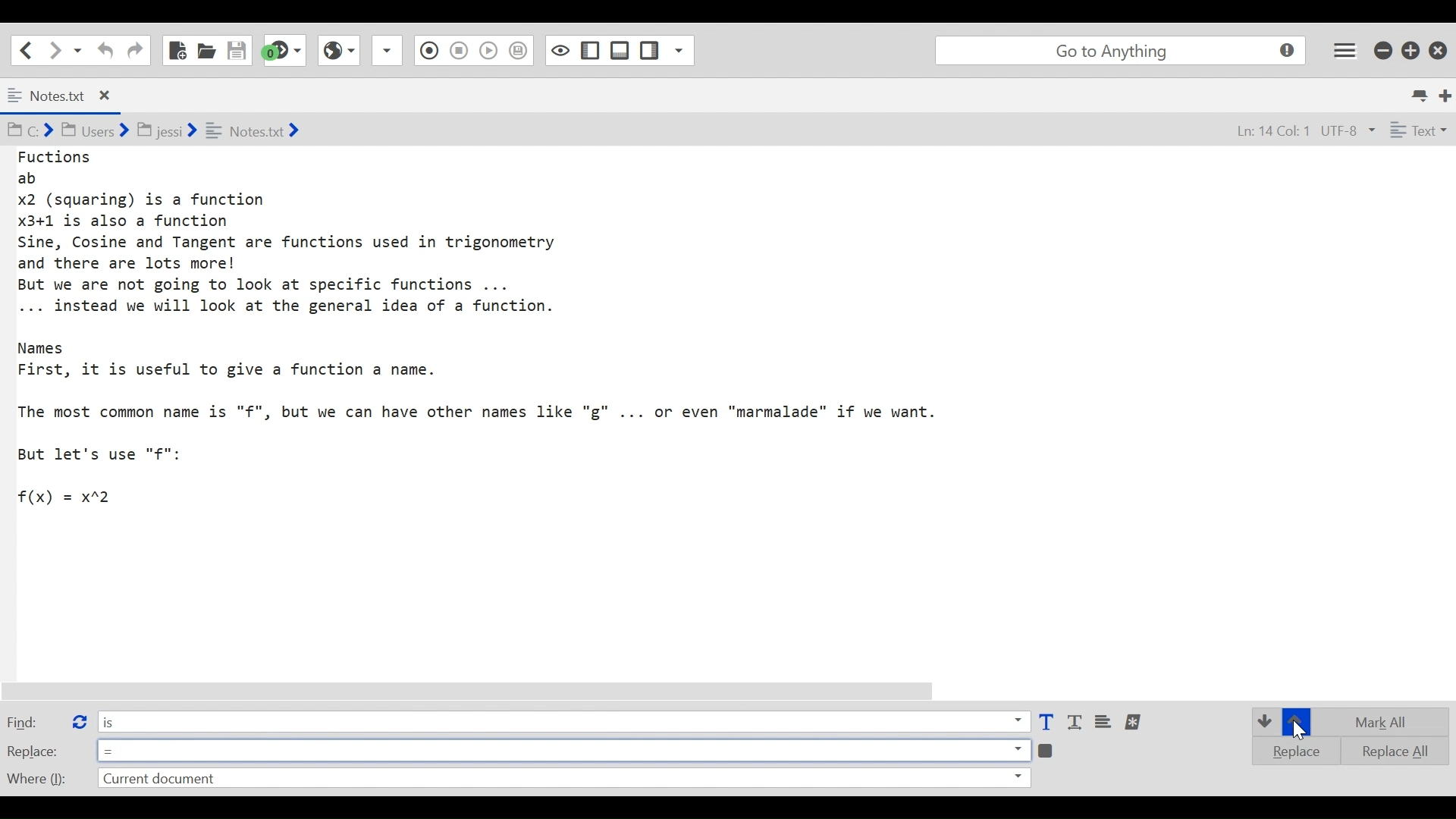  What do you see at coordinates (1077, 723) in the screenshot?
I see `Match whole case` at bounding box center [1077, 723].